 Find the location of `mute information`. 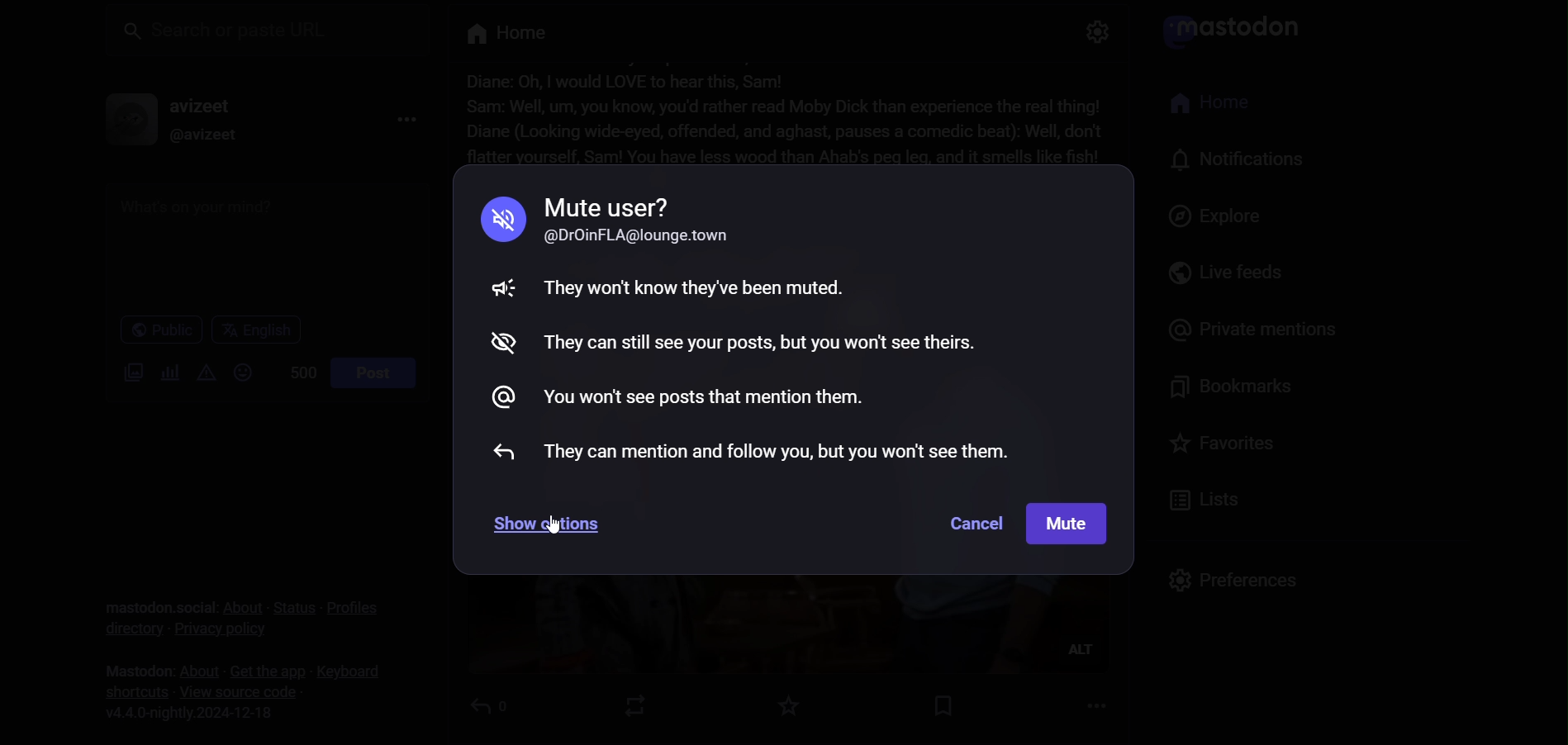

mute information is located at coordinates (765, 323).